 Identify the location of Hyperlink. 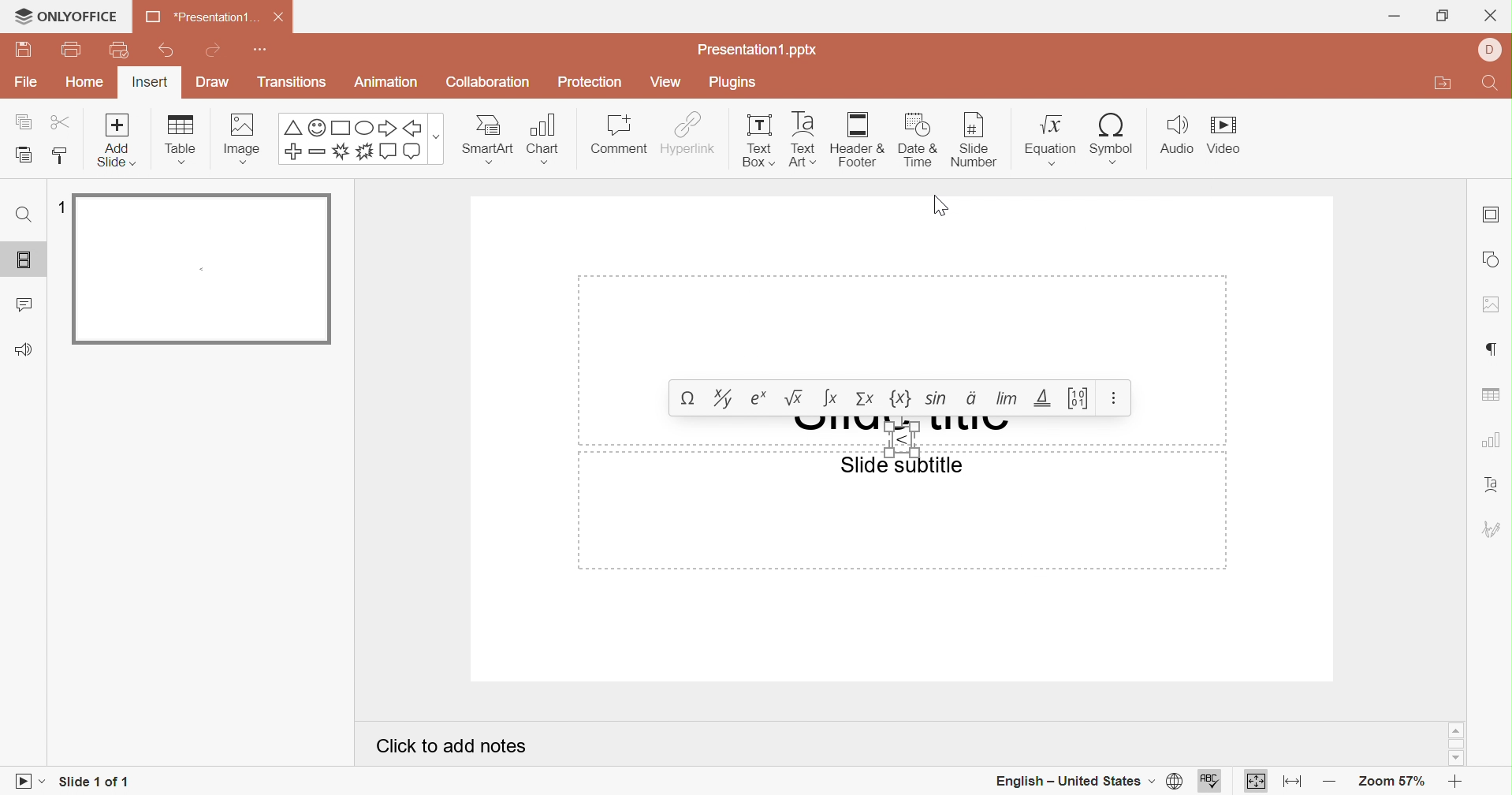
(691, 136).